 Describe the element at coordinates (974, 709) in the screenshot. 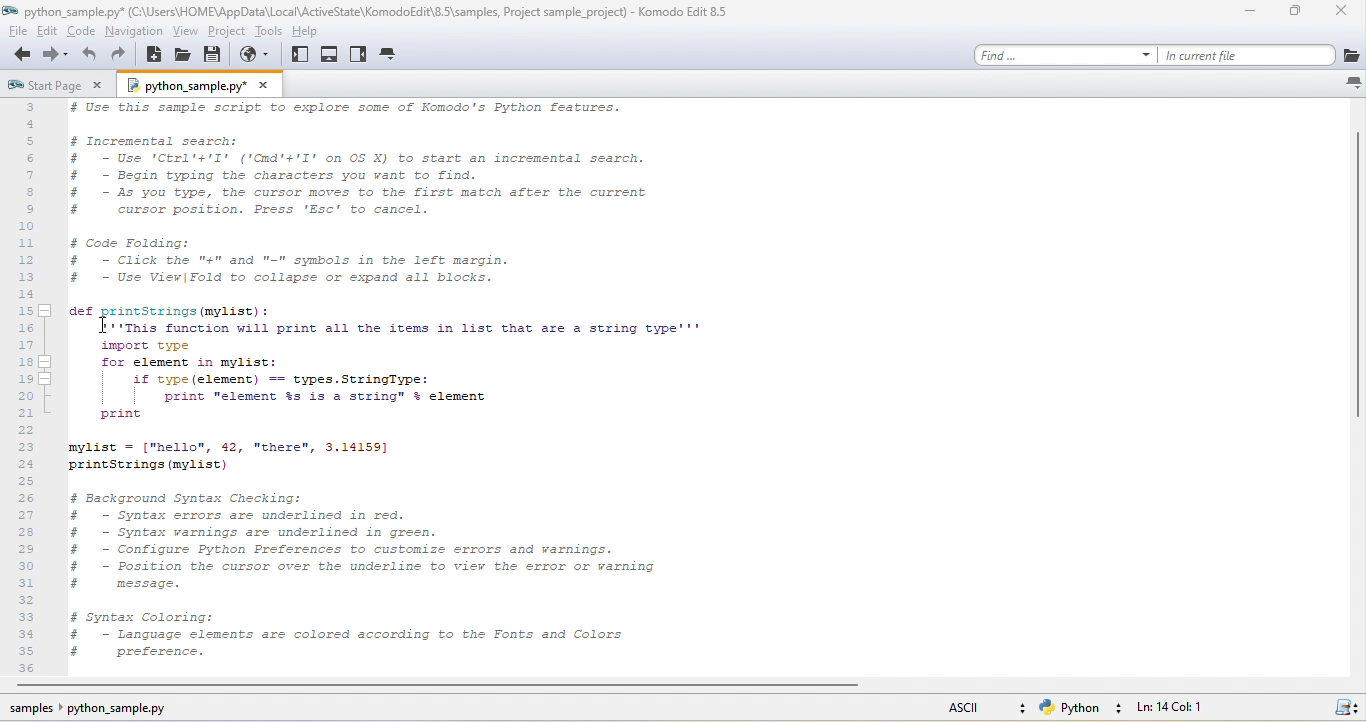

I see `ascii` at that location.